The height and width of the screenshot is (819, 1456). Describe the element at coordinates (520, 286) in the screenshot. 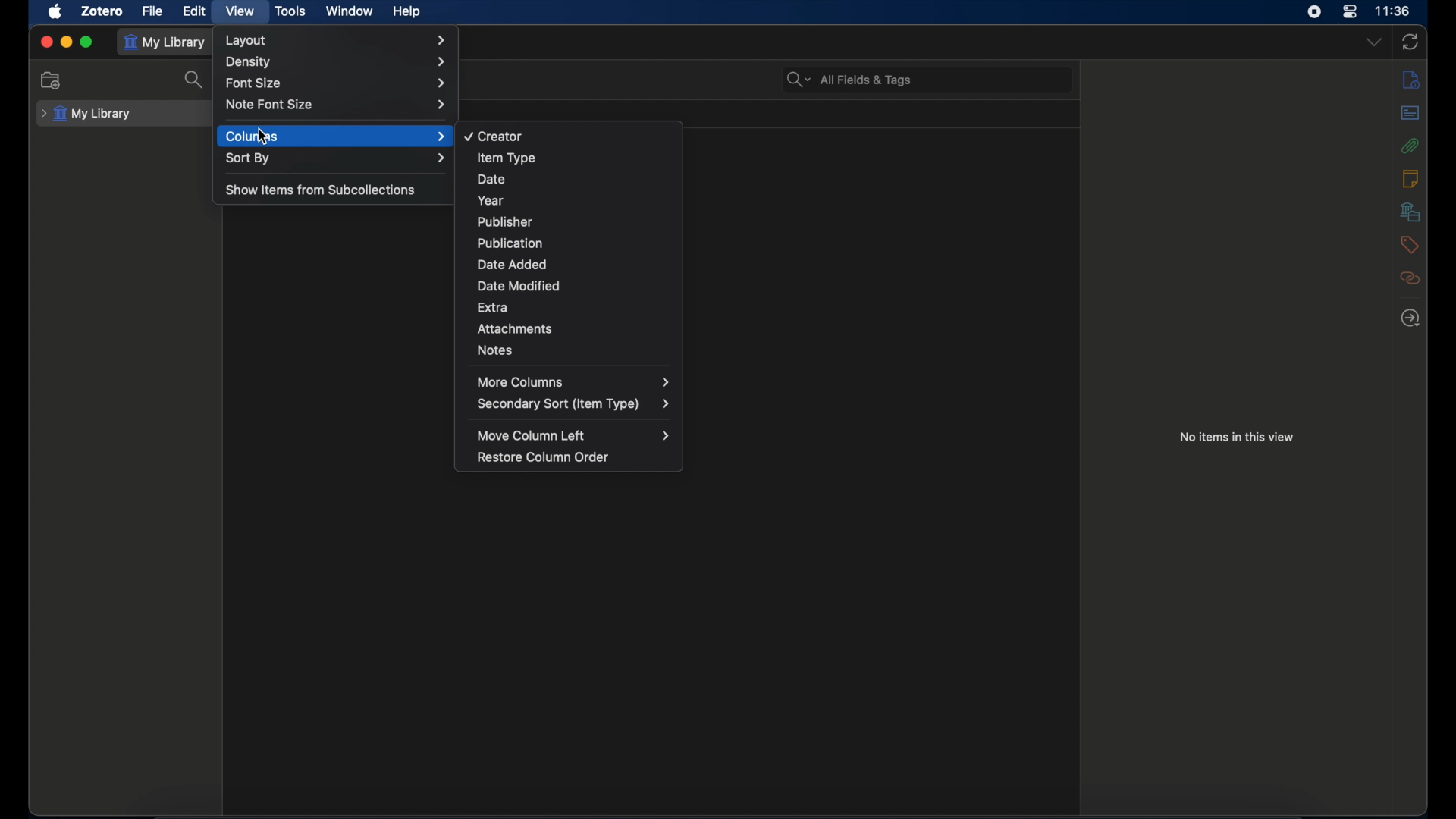

I see `date modified` at that location.